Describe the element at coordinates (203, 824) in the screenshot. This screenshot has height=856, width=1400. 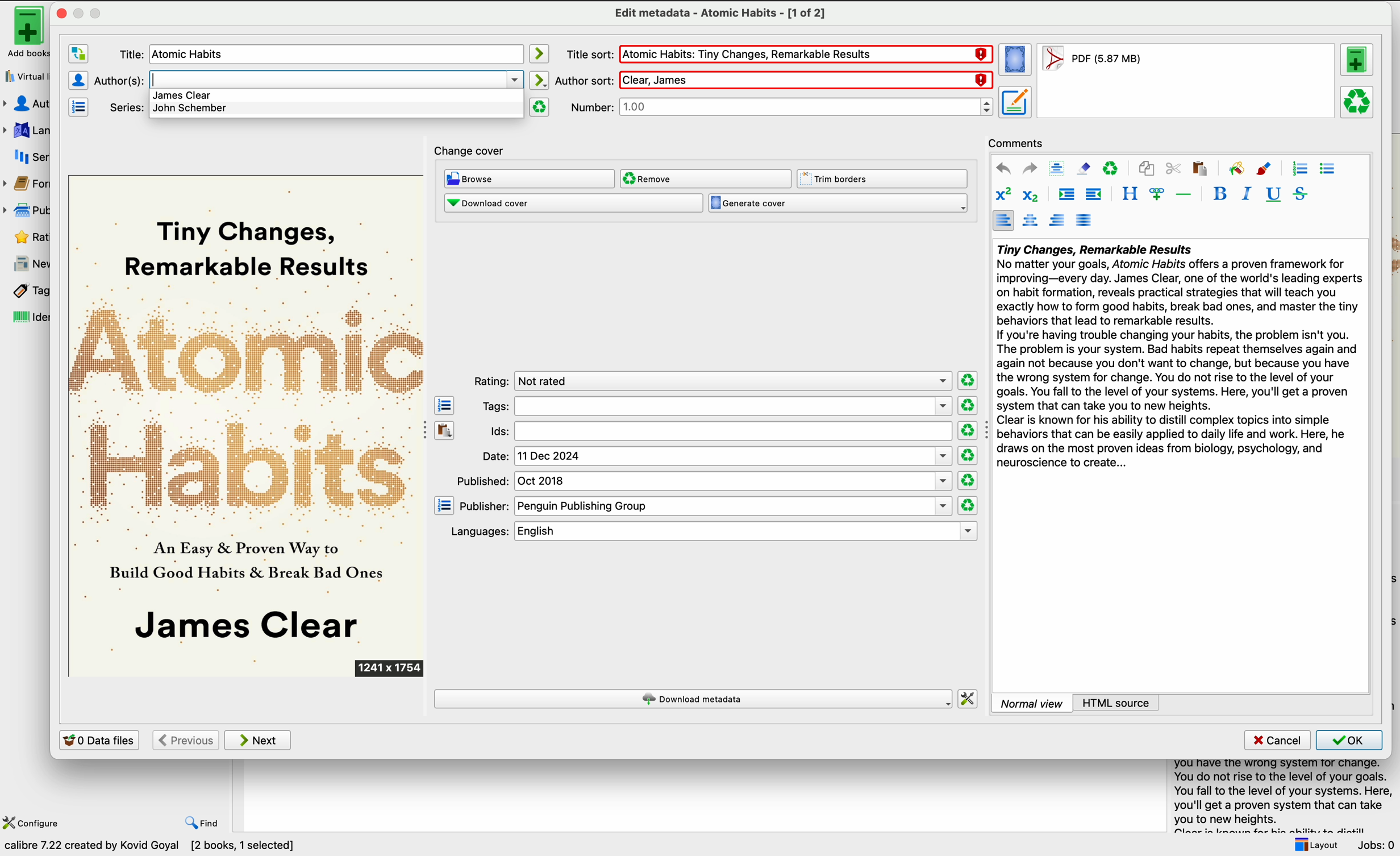
I see `find` at that location.